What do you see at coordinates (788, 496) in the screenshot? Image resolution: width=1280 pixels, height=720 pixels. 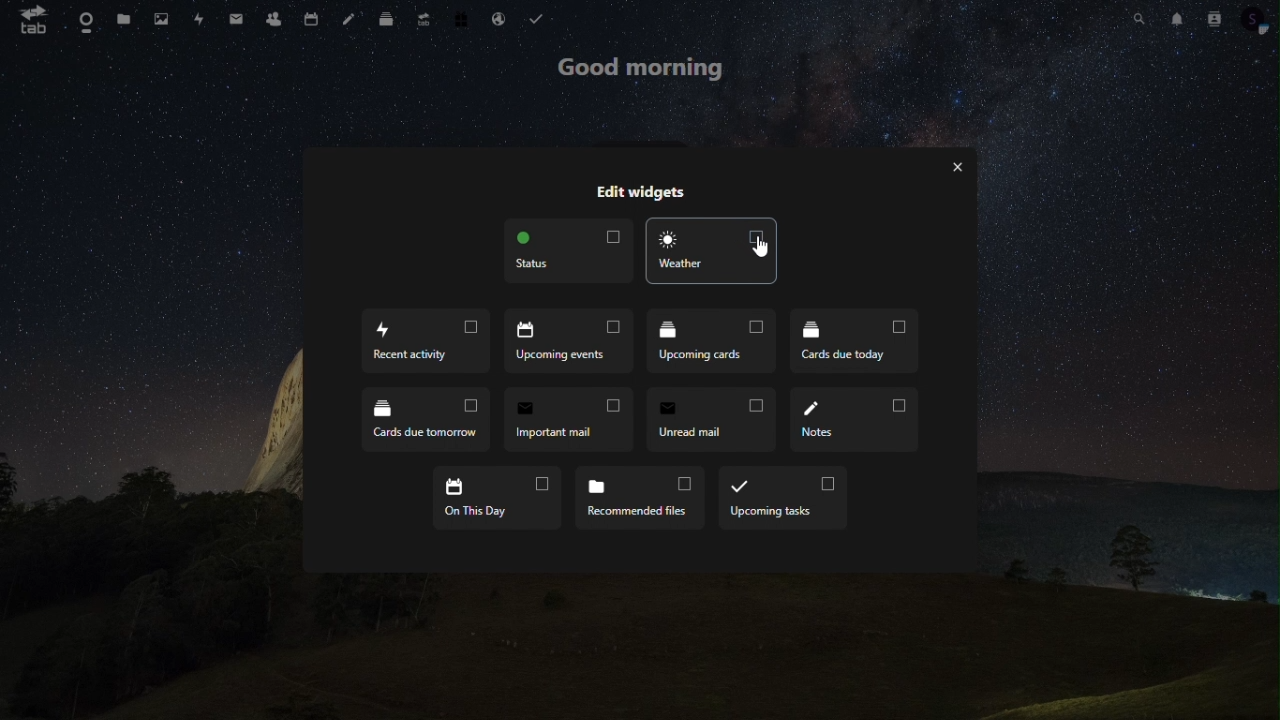 I see `upcoming tasks` at bounding box center [788, 496].